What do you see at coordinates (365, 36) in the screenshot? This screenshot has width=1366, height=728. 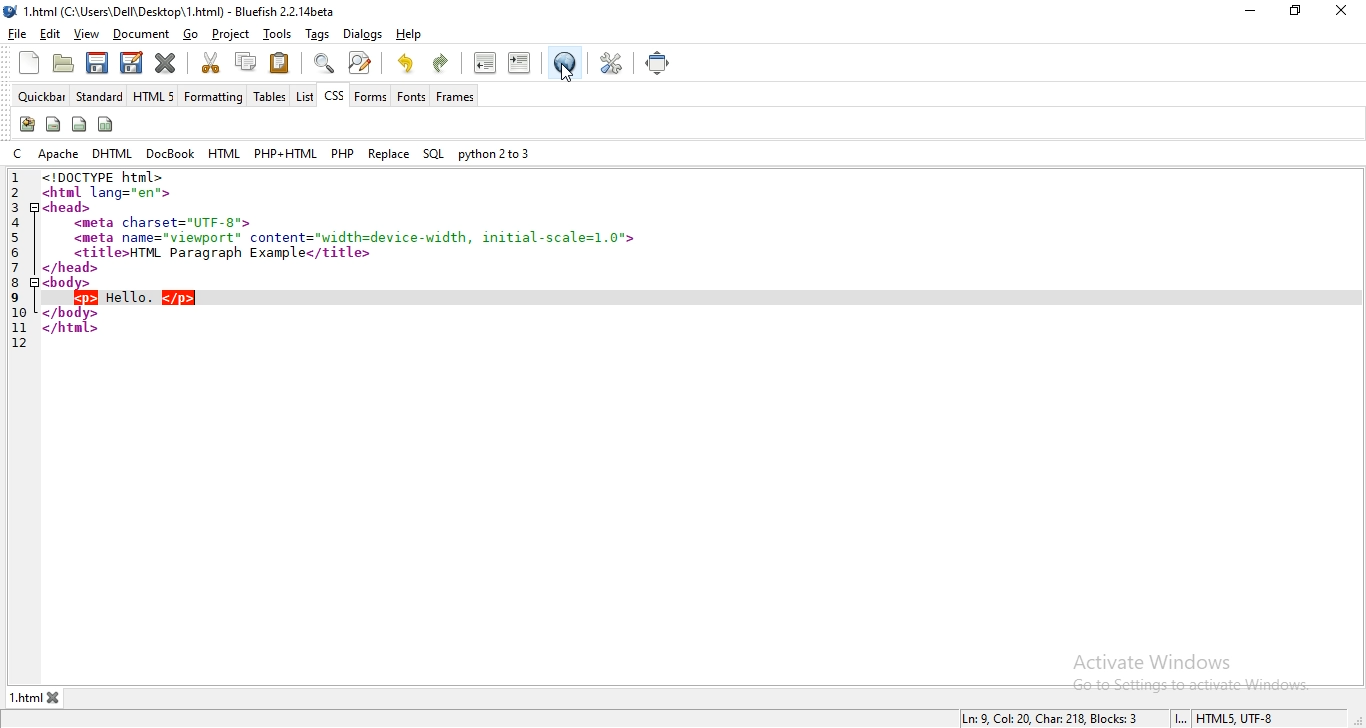 I see `dialogs` at bounding box center [365, 36].